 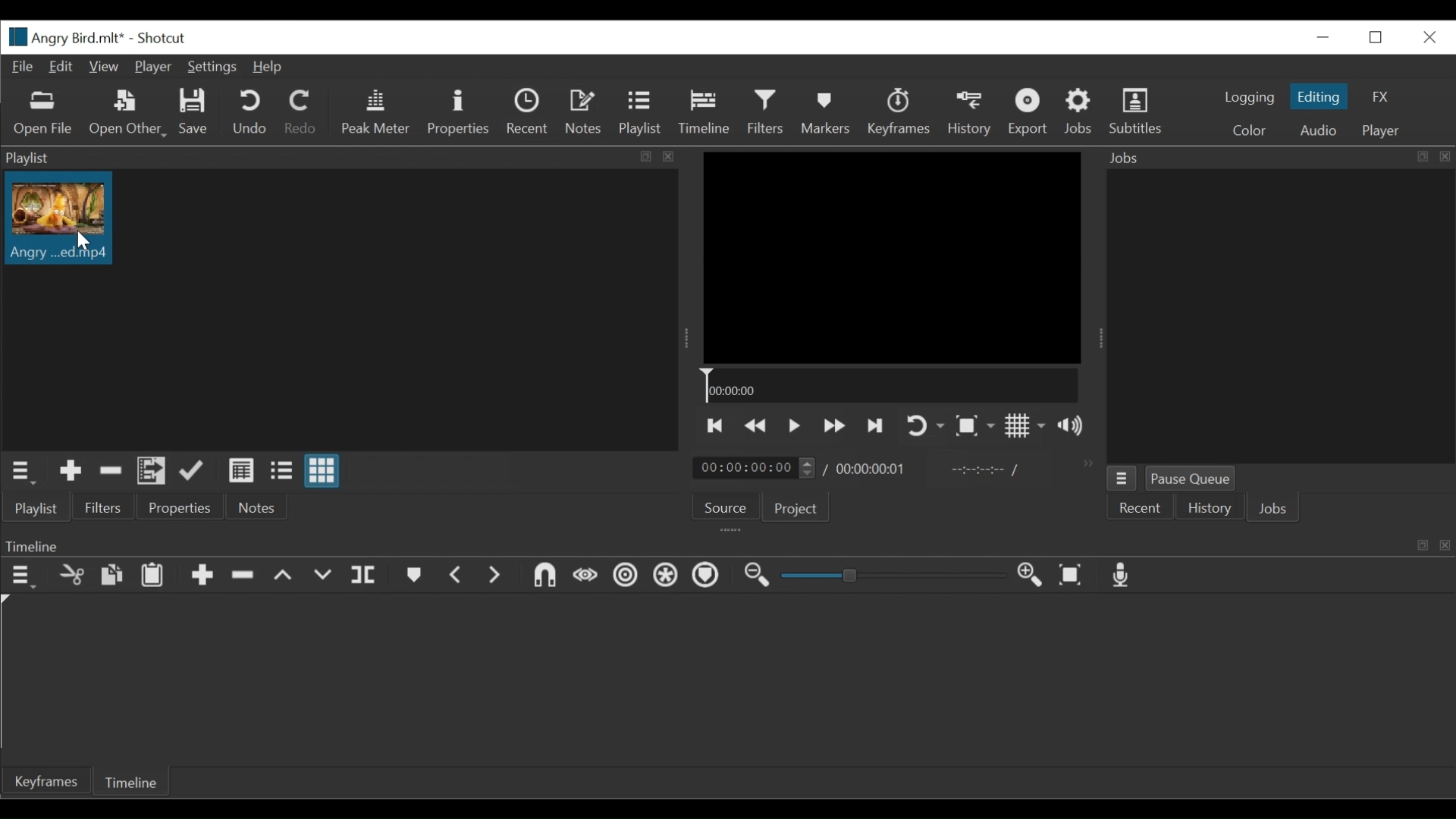 What do you see at coordinates (102, 67) in the screenshot?
I see `View` at bounding box center [102, 67].